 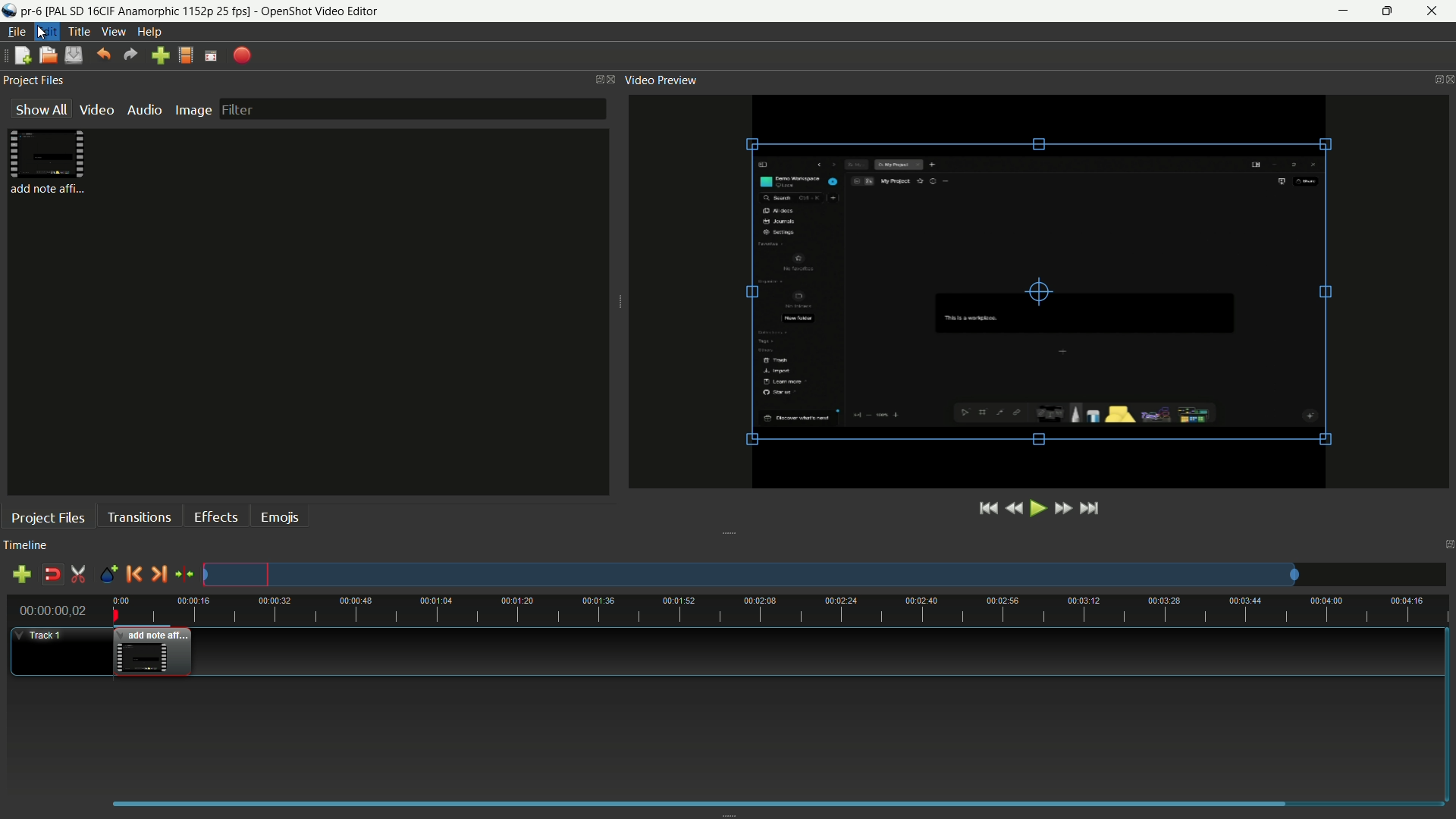 I want to click on transitions, so click(x=139, y=518).